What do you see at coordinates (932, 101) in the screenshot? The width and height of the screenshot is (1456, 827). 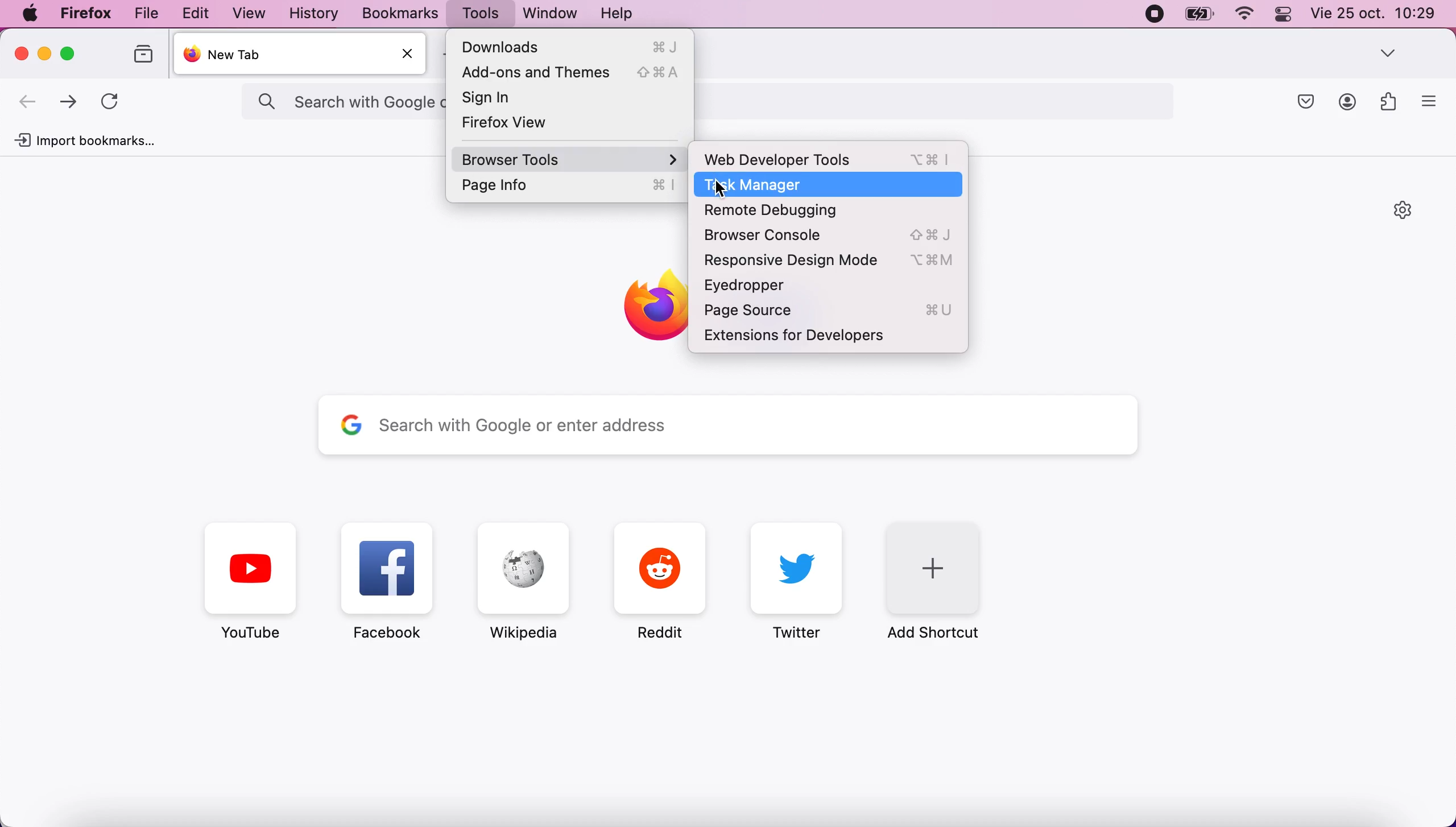 I see `search bar` at bounding box center [932, 101].